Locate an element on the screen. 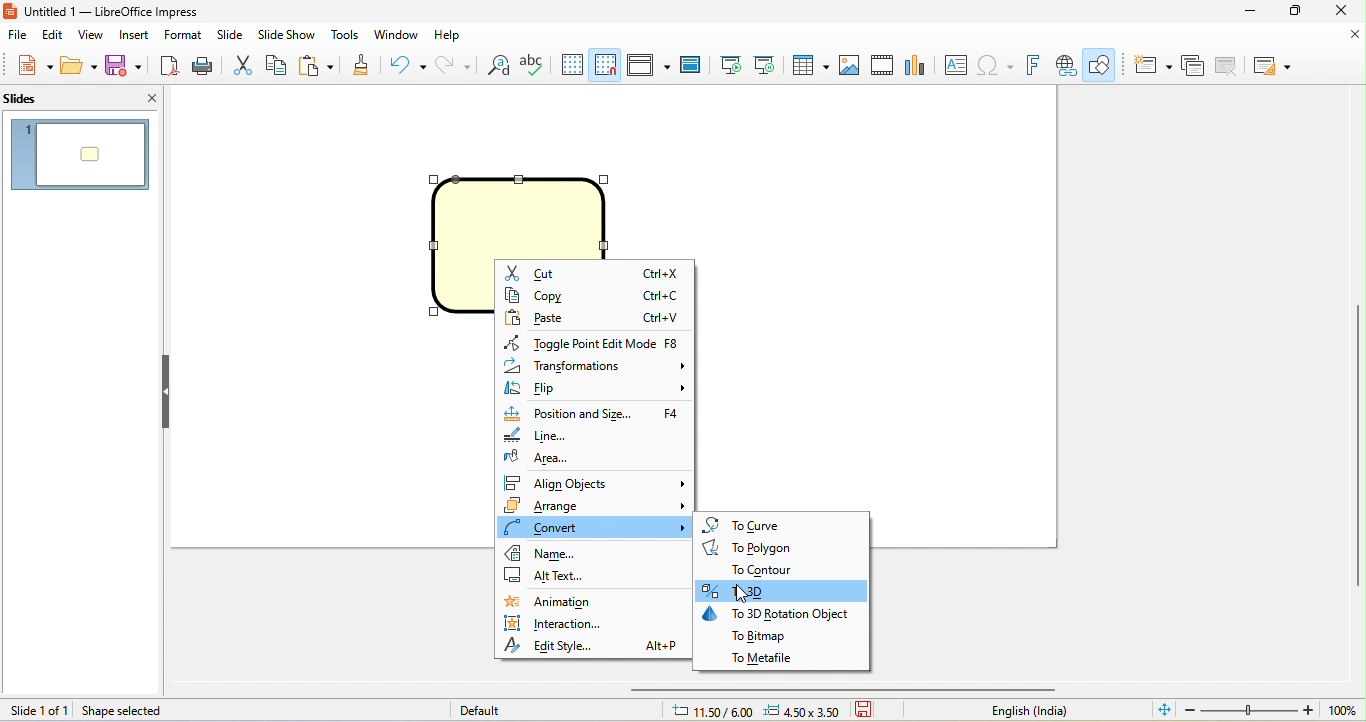 Image resolution: width=1366 pixels, height=722 pixels. horizontal scroll bar is located at coordinates (848, 690).